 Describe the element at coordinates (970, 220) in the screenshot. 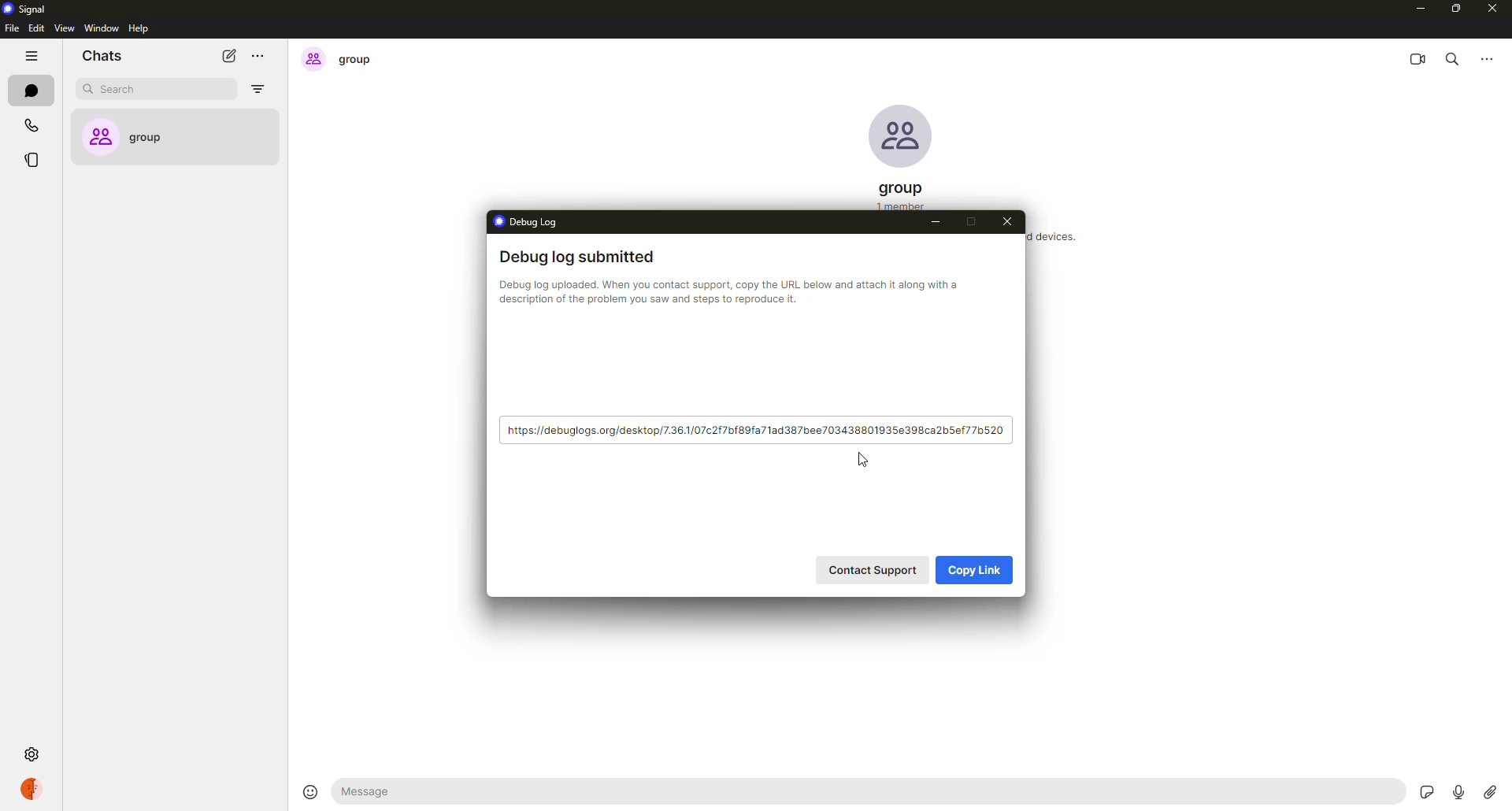

I see `maximize` at that location.